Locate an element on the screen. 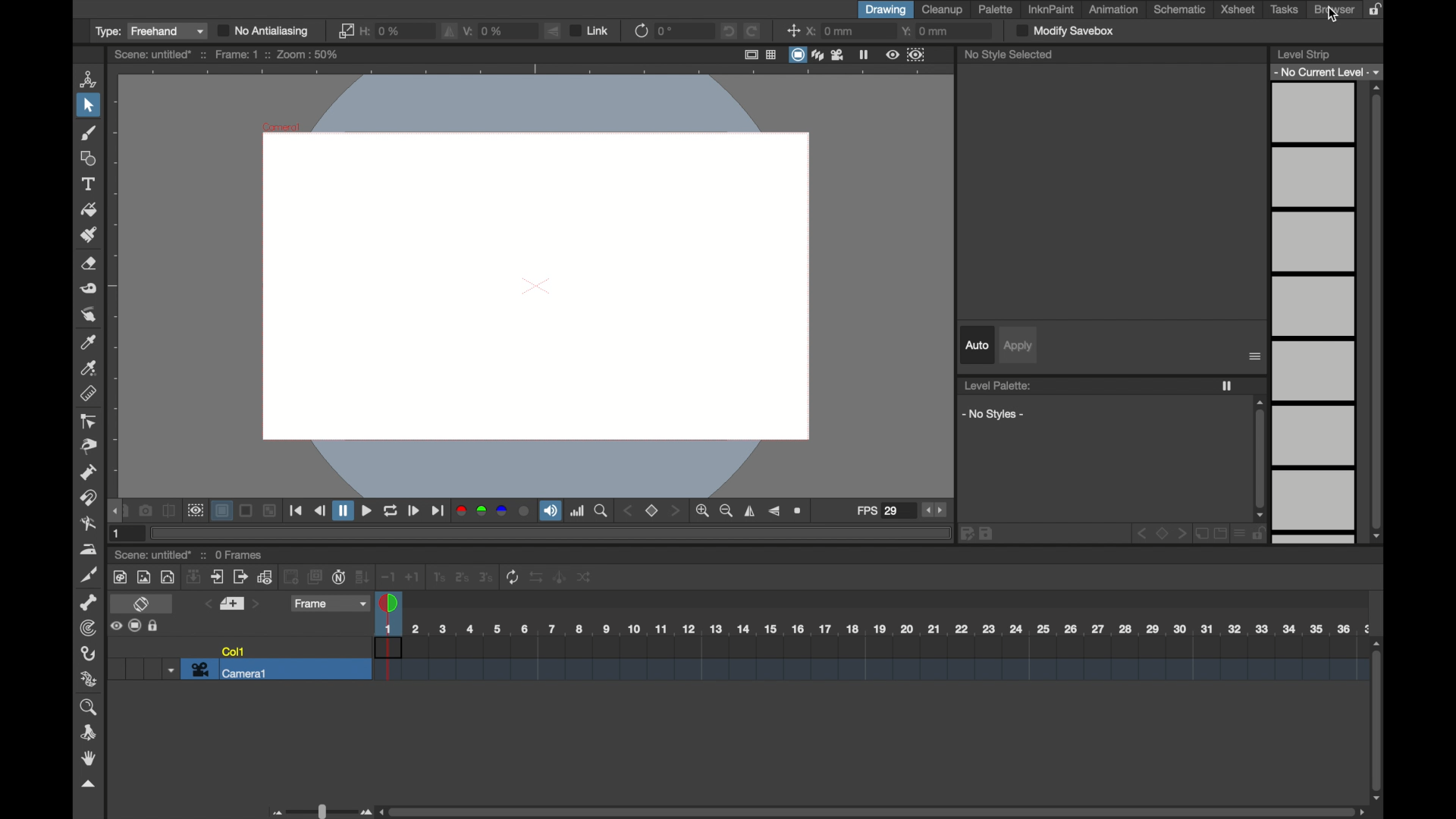 This screenshot has width=1456, height=819. auto is located at coordinates (977, 345).